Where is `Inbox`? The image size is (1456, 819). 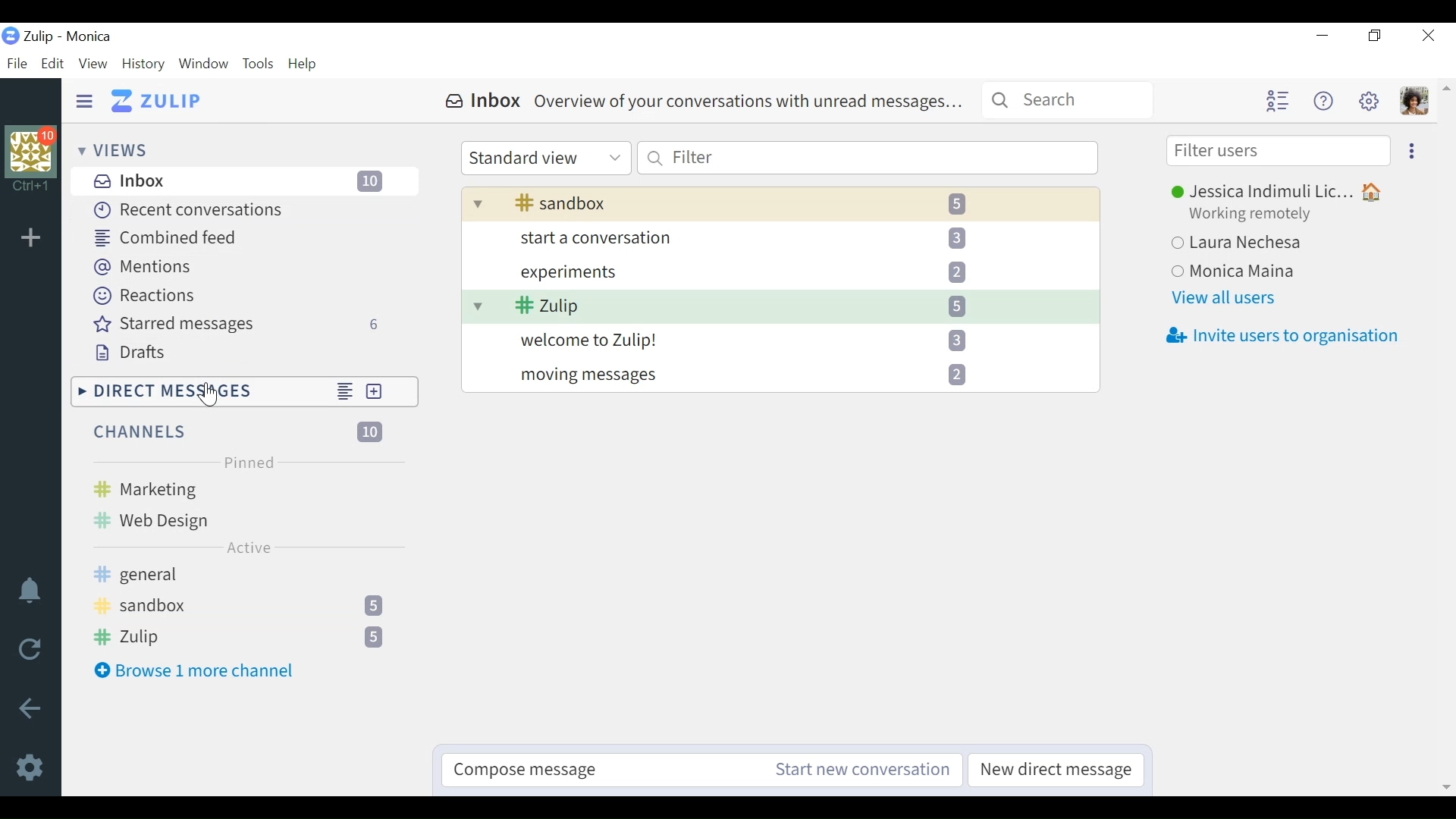 Inbox is located at coordinates (243, 182).